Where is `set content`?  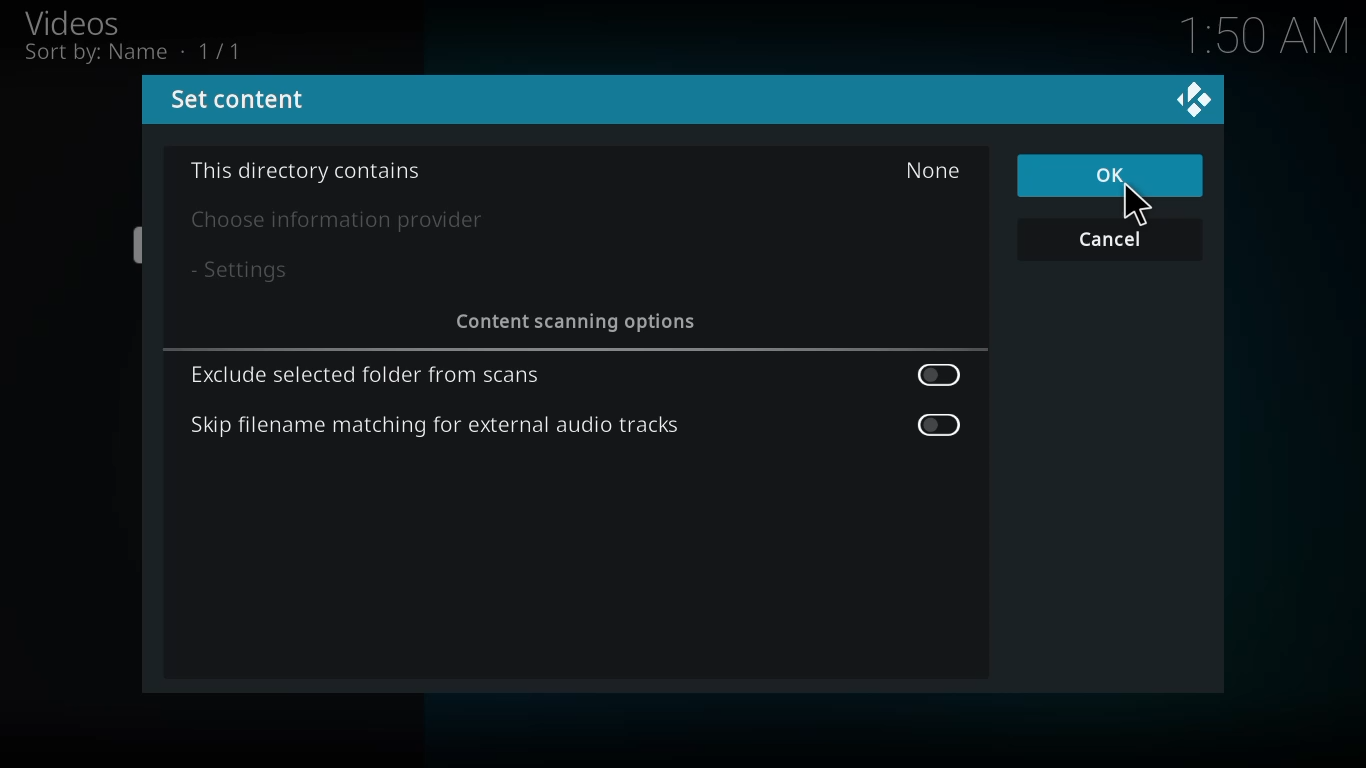 set content is located at coordinates (238, 97).